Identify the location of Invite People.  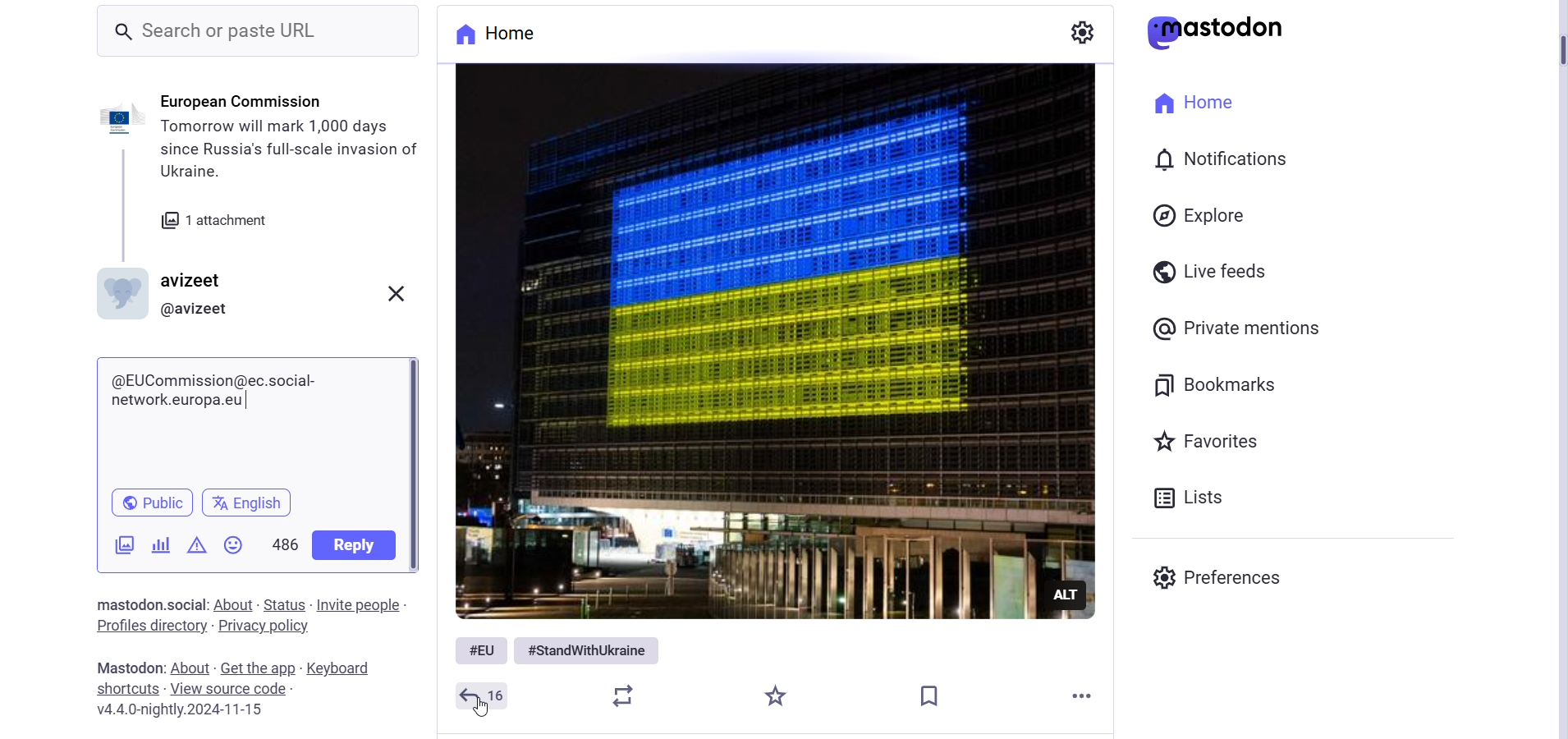
(358, 606).